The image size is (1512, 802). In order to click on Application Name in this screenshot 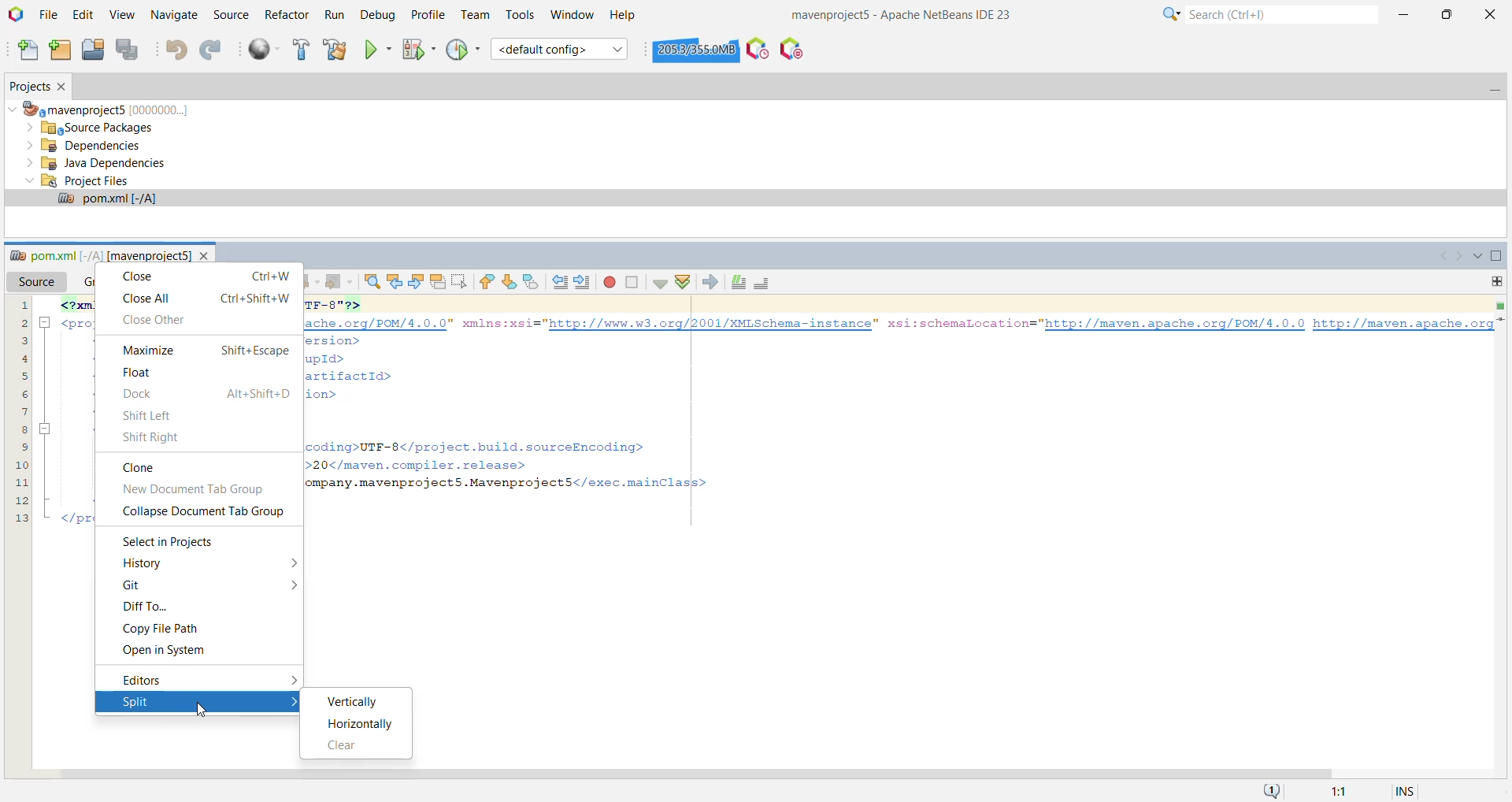, I will do `click(910, 13)`.